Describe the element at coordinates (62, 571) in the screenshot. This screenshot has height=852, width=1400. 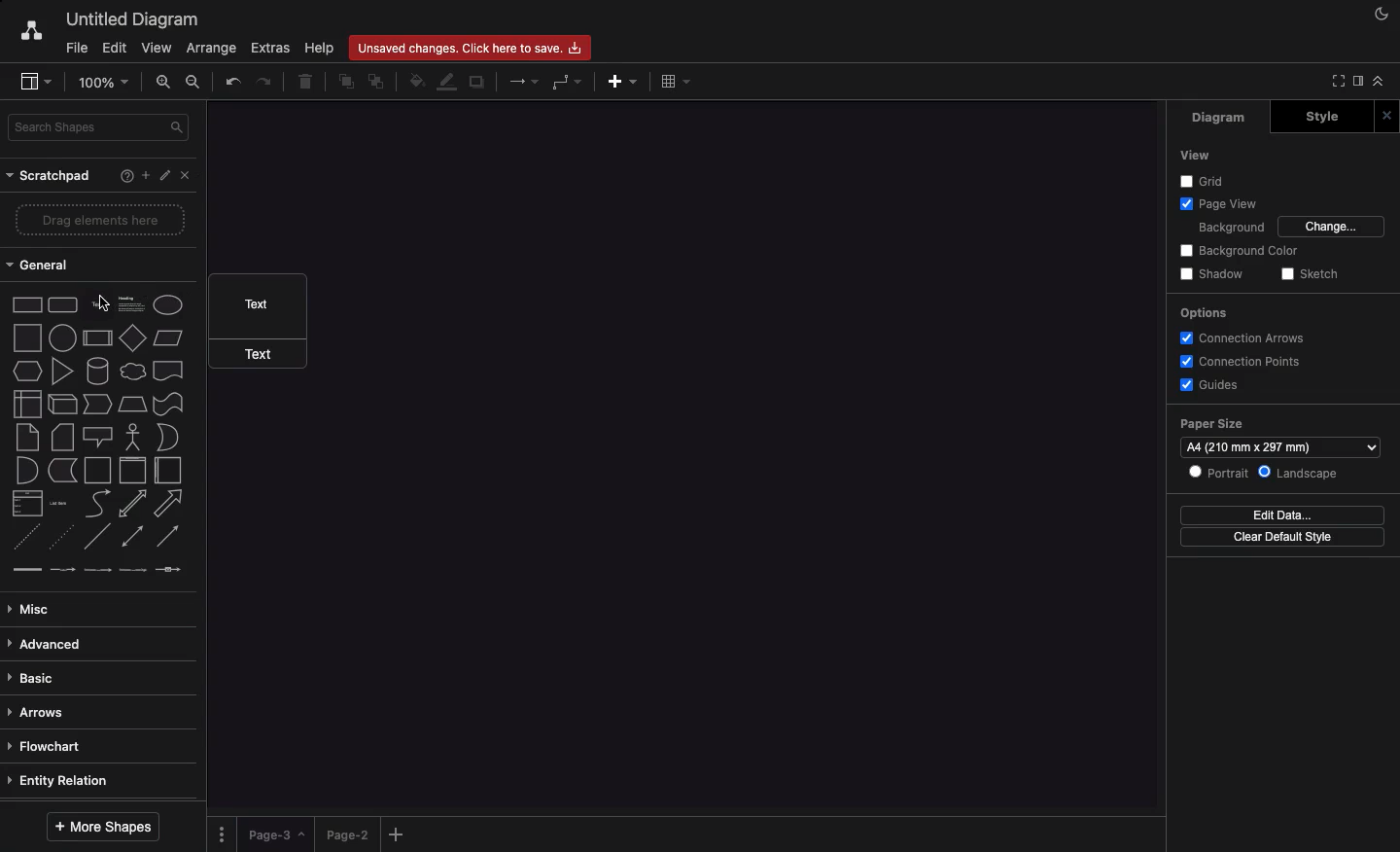
I see `connector with label` at that location.